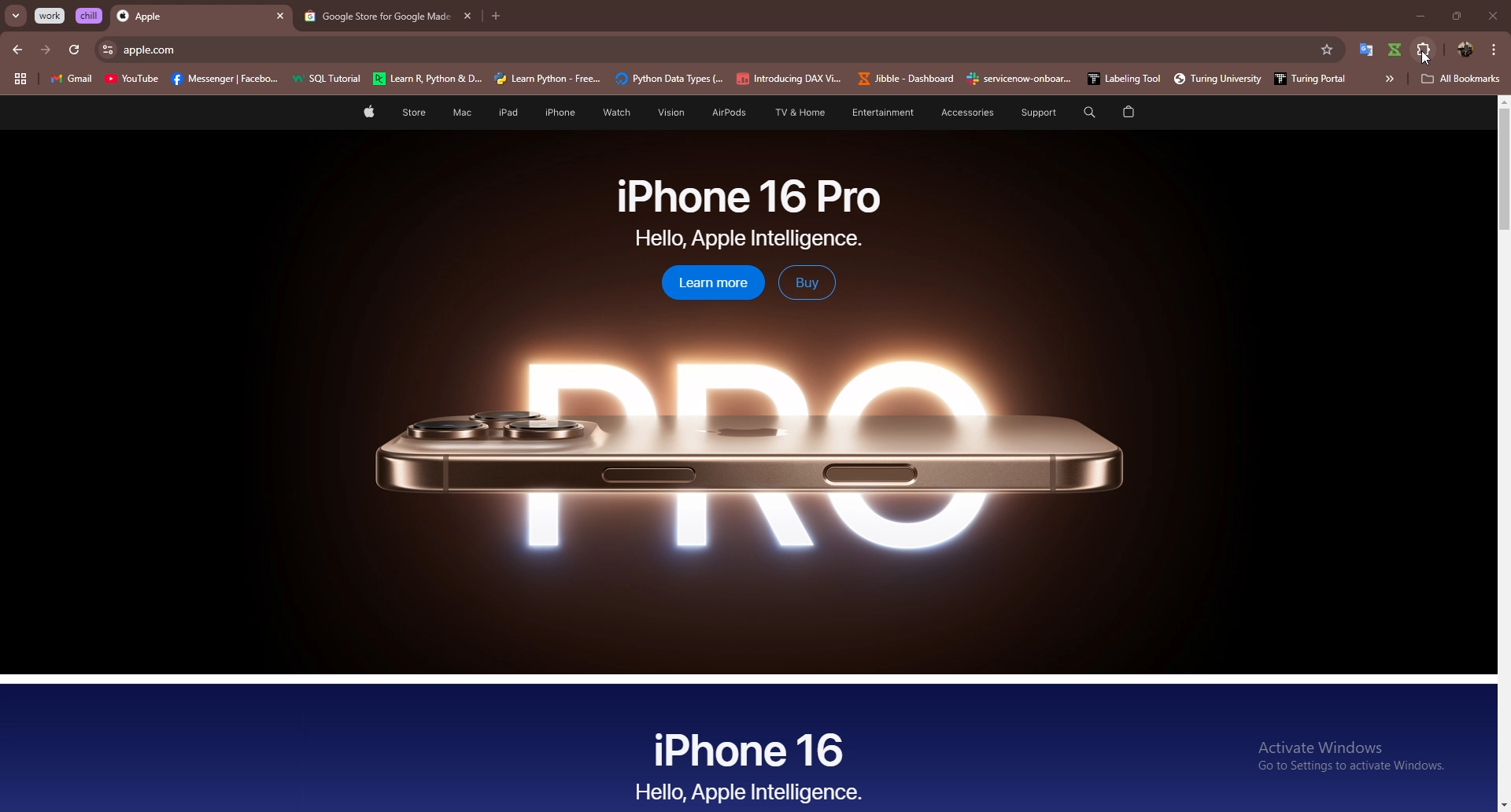  Describe the element at coordinates (560, 113) in the screenshot. I see `iPhone` at that location.